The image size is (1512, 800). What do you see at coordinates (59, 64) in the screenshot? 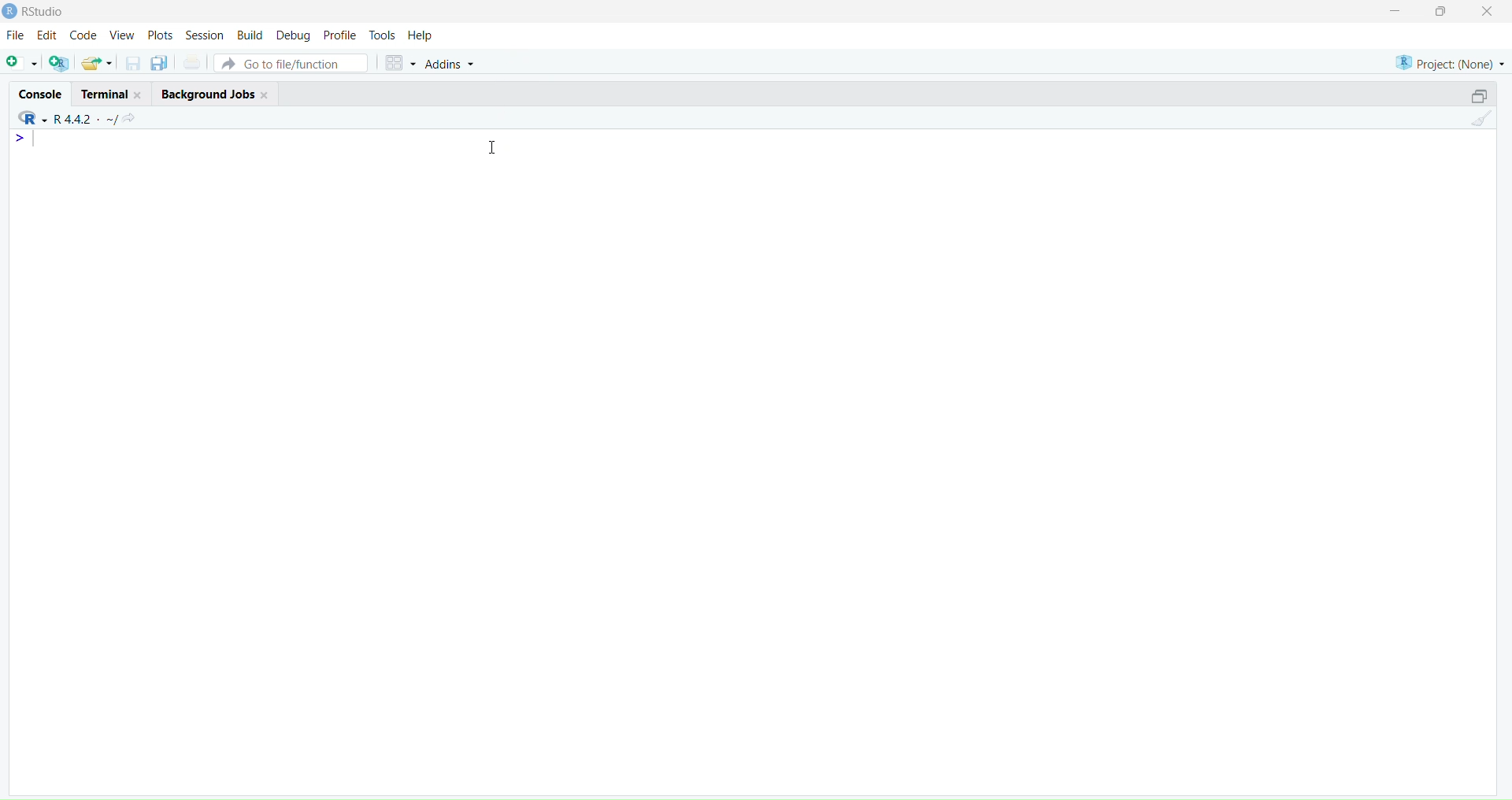
I see `create a project` at bounding box center [59, 64].